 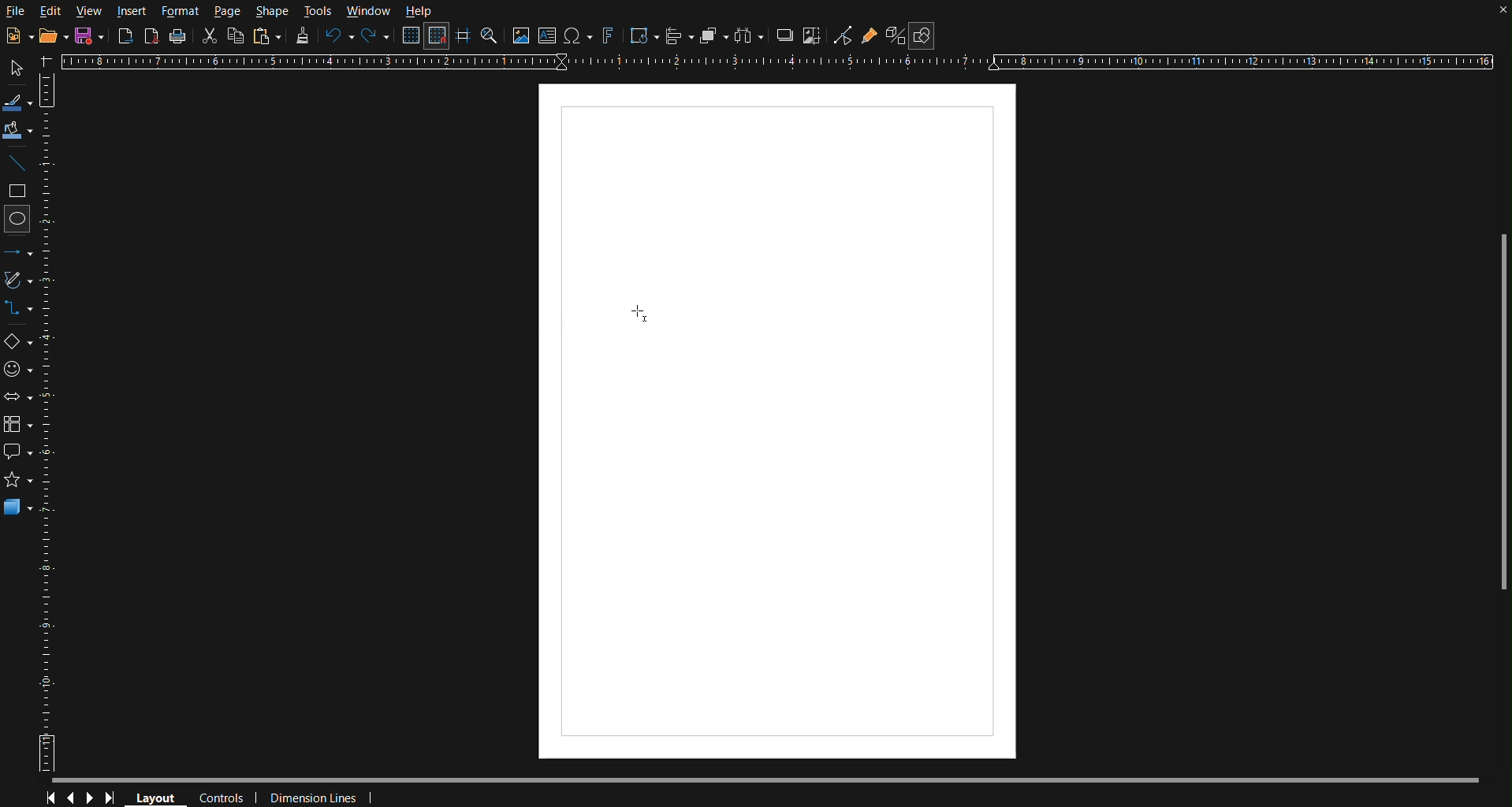 What do you see at coordinates (18, 426) in the screenshot?
I see `Flowchart` at bounding box center [18, 426].